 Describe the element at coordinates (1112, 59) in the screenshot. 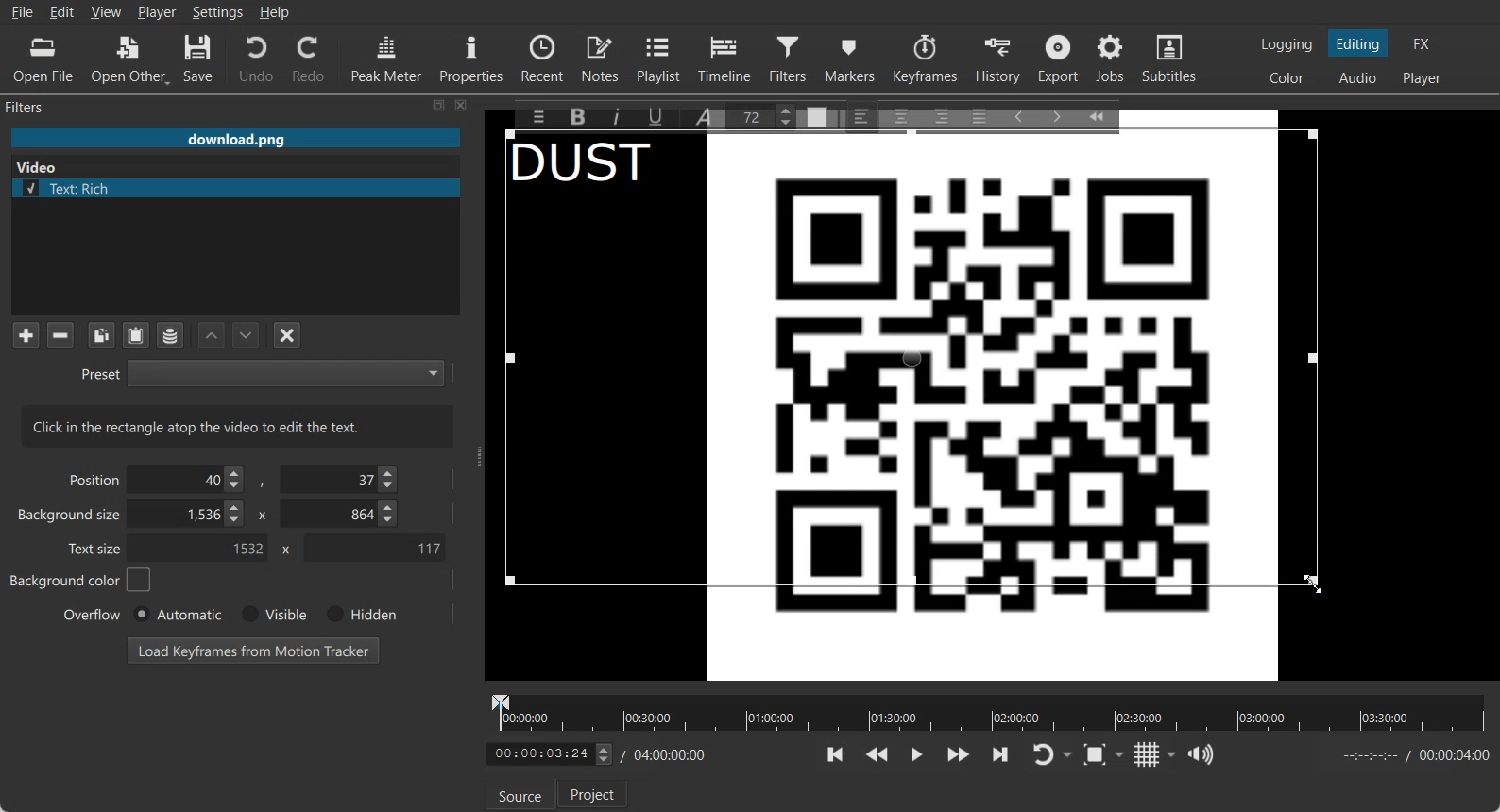

I see `Jobs` at that location.